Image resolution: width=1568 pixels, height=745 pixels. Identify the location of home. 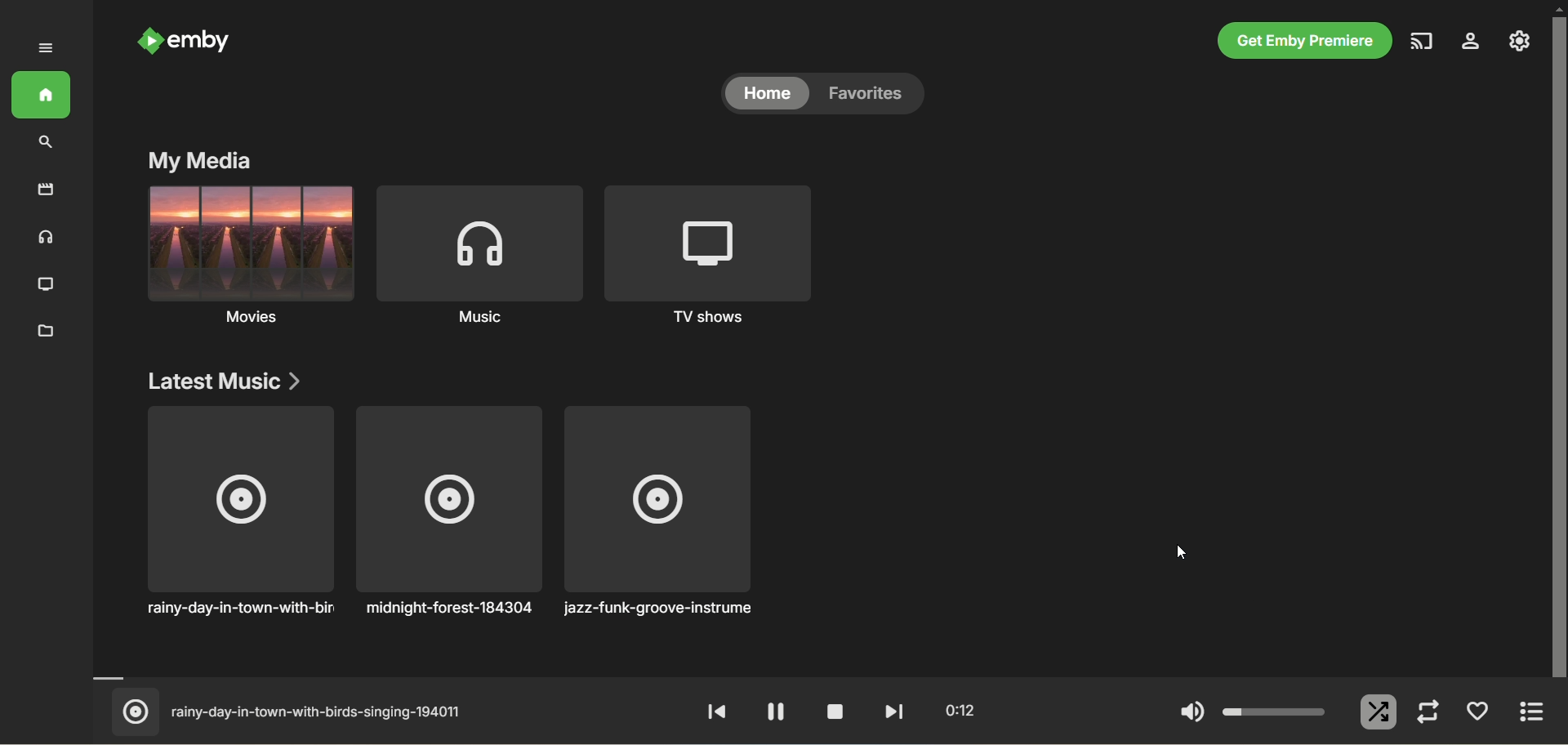
(40, 96).